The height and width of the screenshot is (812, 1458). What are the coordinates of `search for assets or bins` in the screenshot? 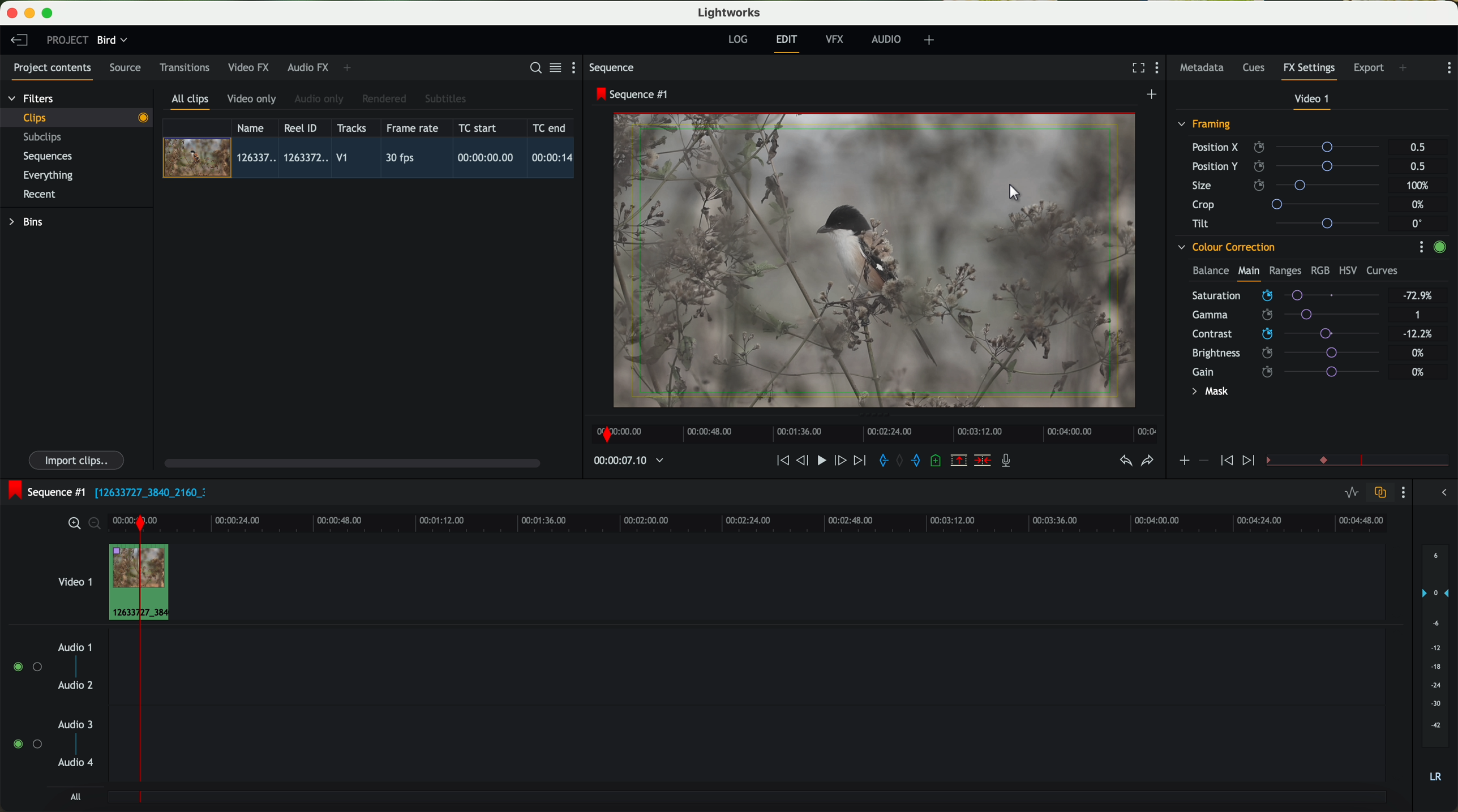 It's located at (532, 68).